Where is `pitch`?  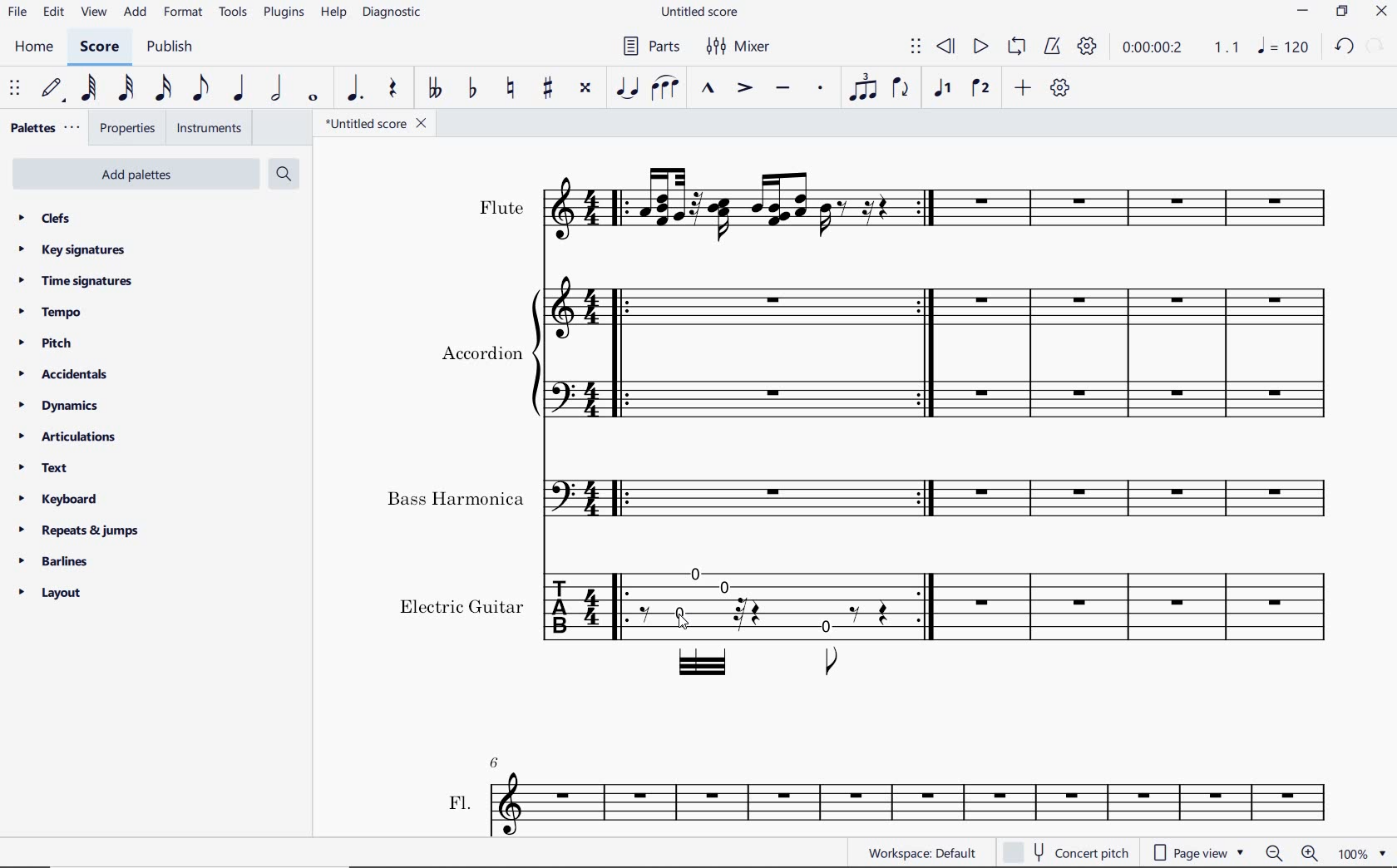 pitch is located at coordinates (46, 343).